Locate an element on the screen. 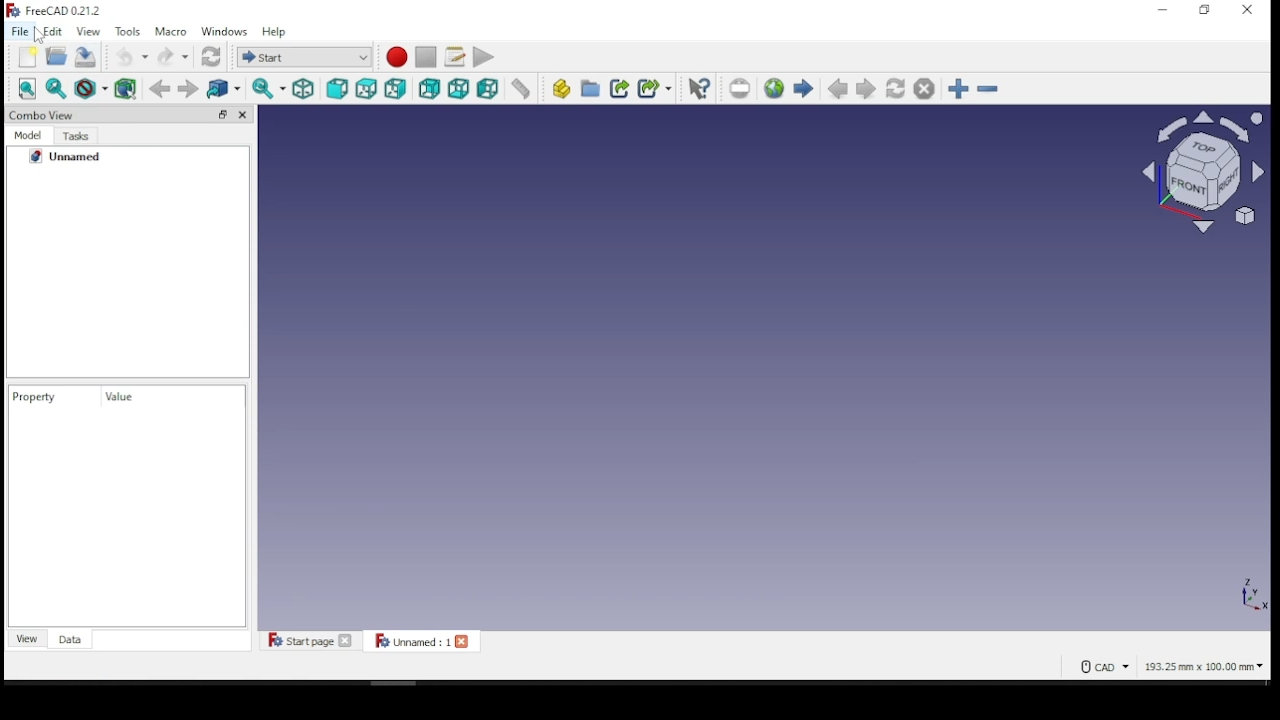 The image size is (1280, 720). stop loading is located at coordinates (924, 88).